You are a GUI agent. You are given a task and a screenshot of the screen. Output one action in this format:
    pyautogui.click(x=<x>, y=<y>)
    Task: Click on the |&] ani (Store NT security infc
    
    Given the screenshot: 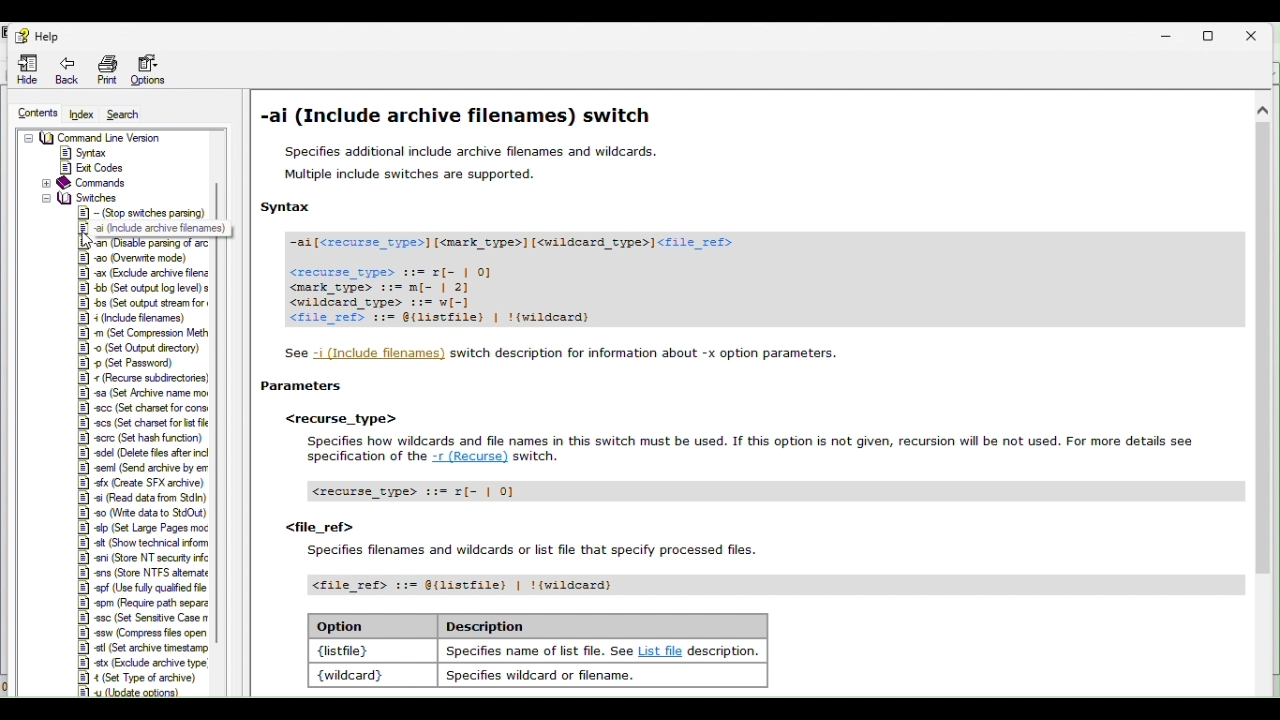 What is the action you would take?
    pyautogui.click(x=145, y=557)
    